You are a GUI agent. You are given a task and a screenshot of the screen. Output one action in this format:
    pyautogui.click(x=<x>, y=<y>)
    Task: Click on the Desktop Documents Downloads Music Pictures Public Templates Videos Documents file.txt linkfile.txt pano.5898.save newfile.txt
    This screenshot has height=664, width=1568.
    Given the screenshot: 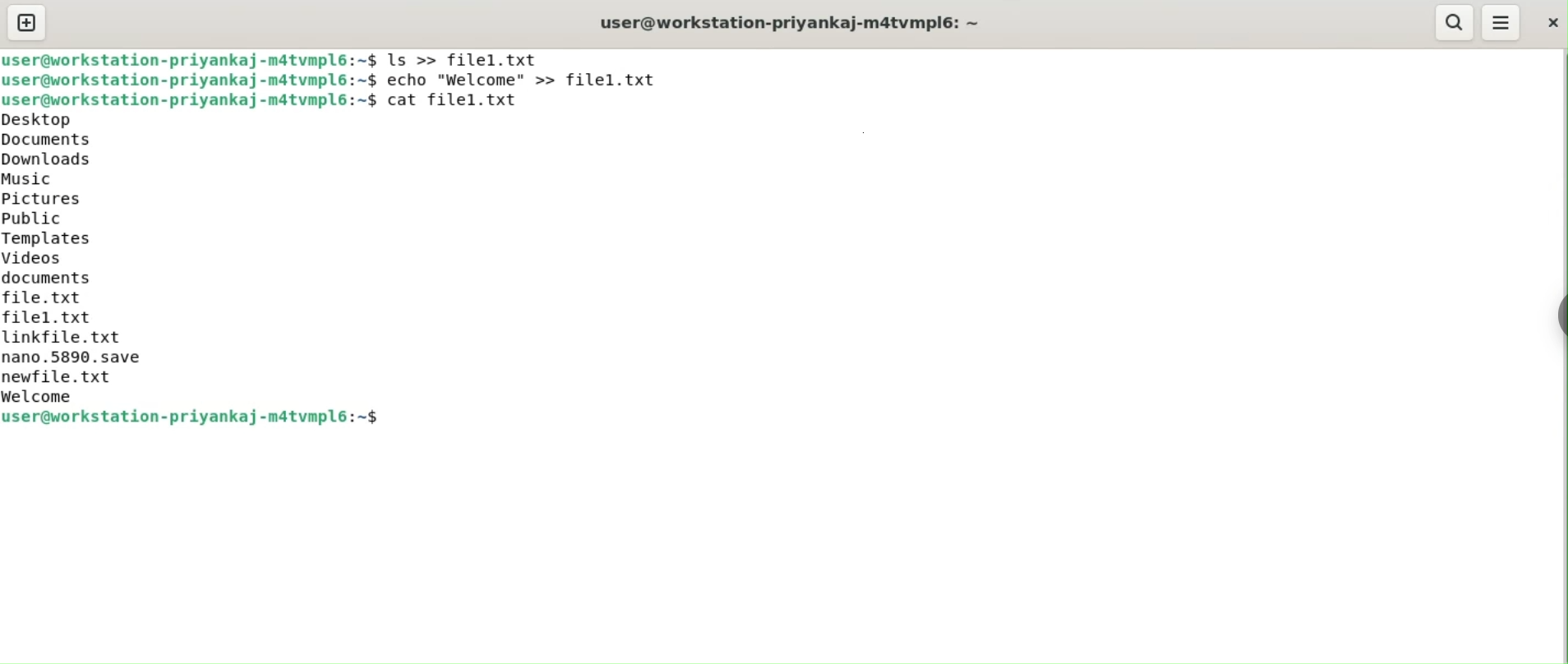 What is the action you would take?
    pyautogui.click(x=83, y=247)
    